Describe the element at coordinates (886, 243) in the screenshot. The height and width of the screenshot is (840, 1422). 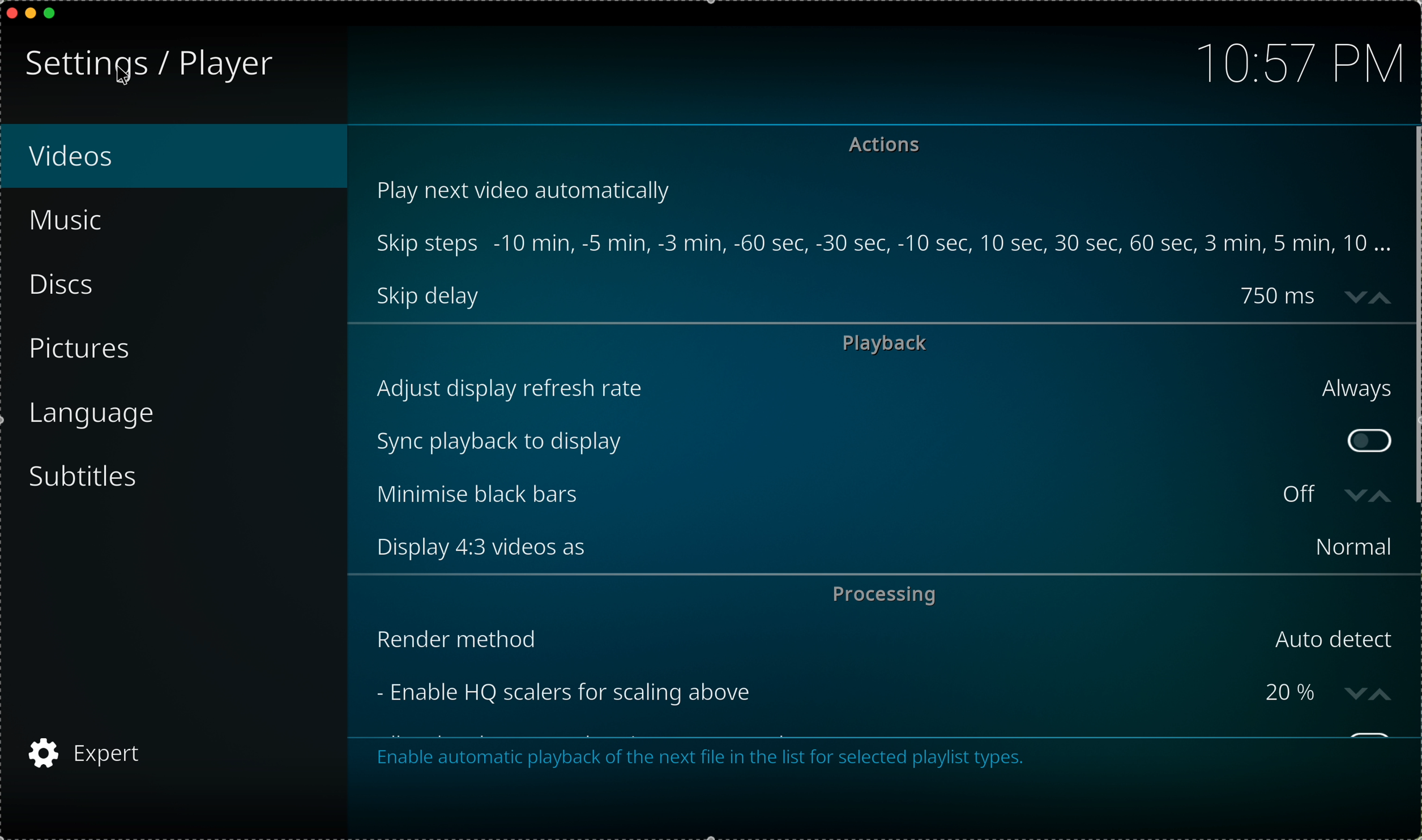
I see `Skip steps -10 min, -5 min, -3 min, -60 sec, -30 sec, -10 sec, 10 sec, 30 sec, 60 sec, 3 min, 5 min, 10 ...` at that location.